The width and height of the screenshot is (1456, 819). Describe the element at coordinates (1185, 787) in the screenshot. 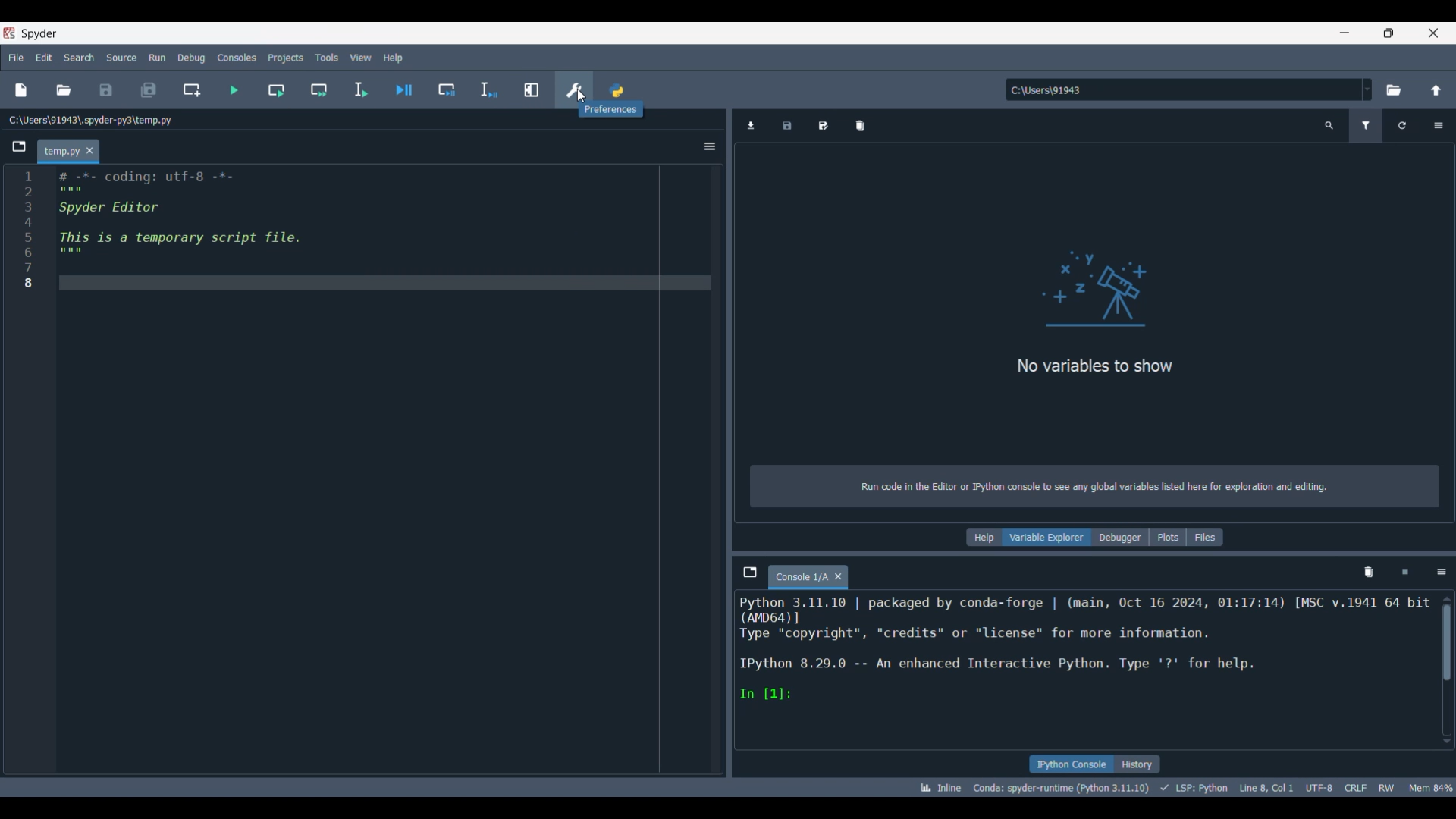

I see `Details of current code` at that location.